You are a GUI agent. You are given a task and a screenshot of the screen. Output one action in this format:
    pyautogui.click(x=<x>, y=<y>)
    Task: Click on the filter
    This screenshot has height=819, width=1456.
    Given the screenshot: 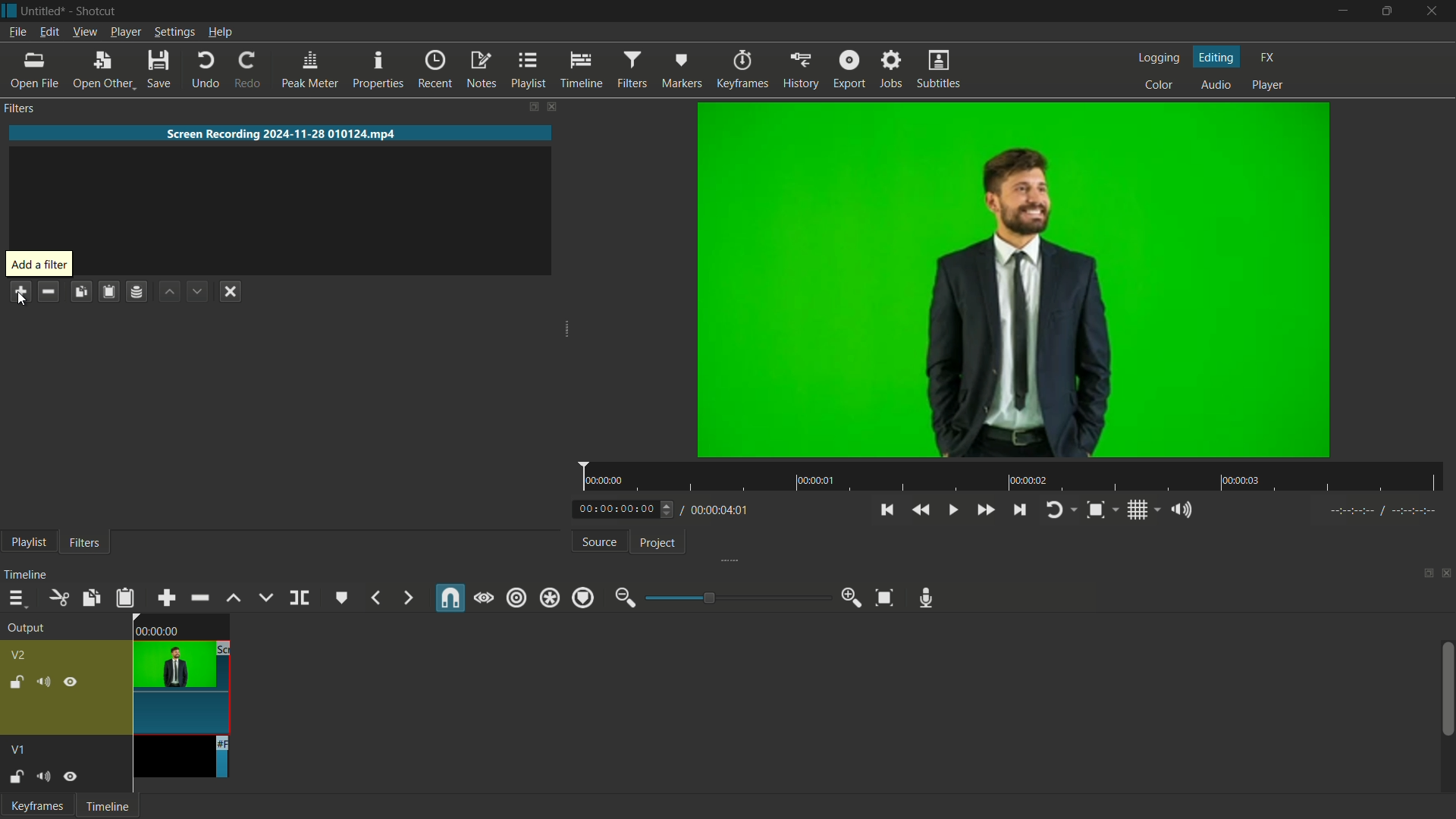 What is the action you would take?
    pyautogui.click(x=83, y=541)
    